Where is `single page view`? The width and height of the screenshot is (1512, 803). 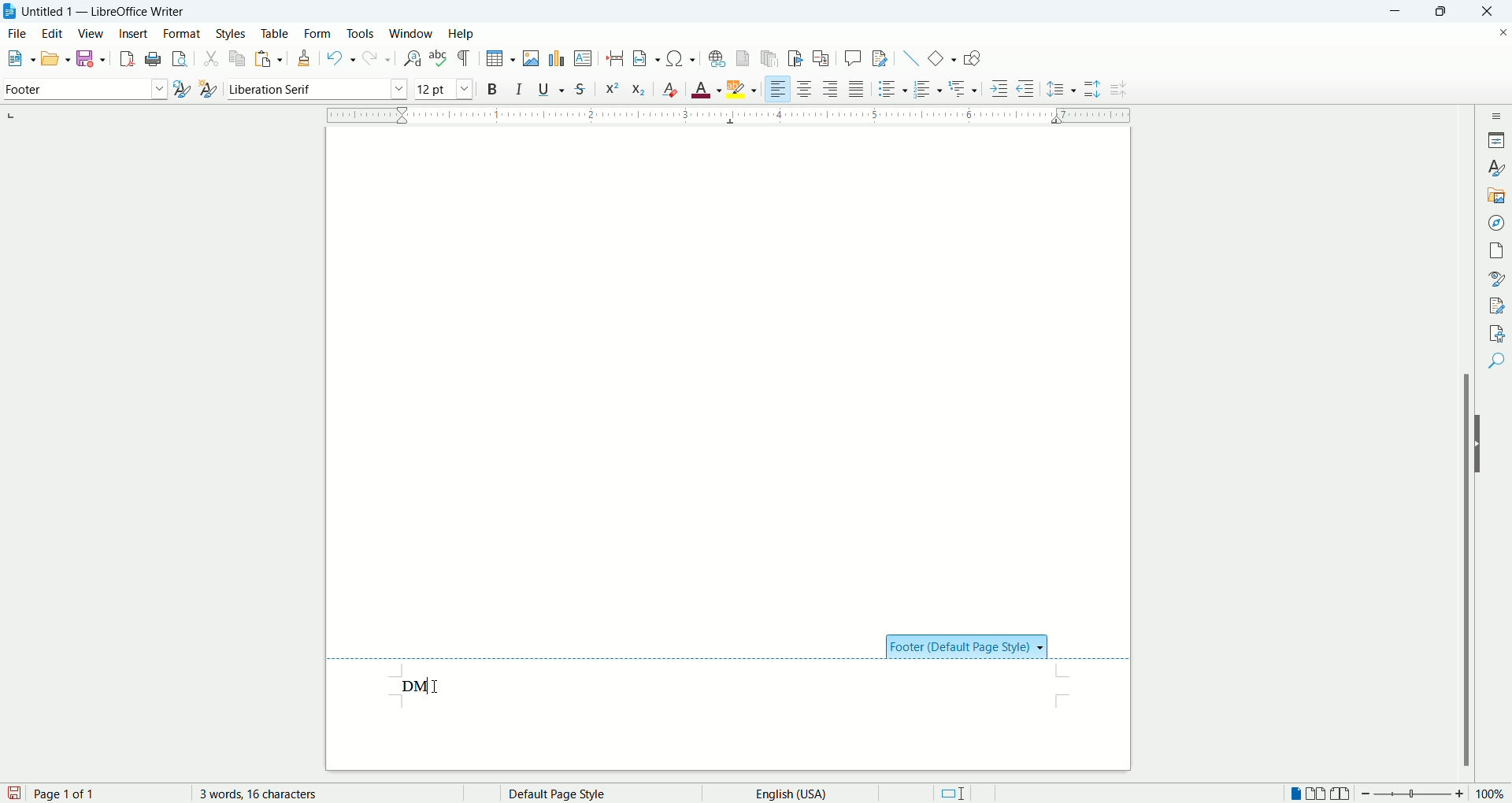
single page view is located at coordinates (1297, 795).